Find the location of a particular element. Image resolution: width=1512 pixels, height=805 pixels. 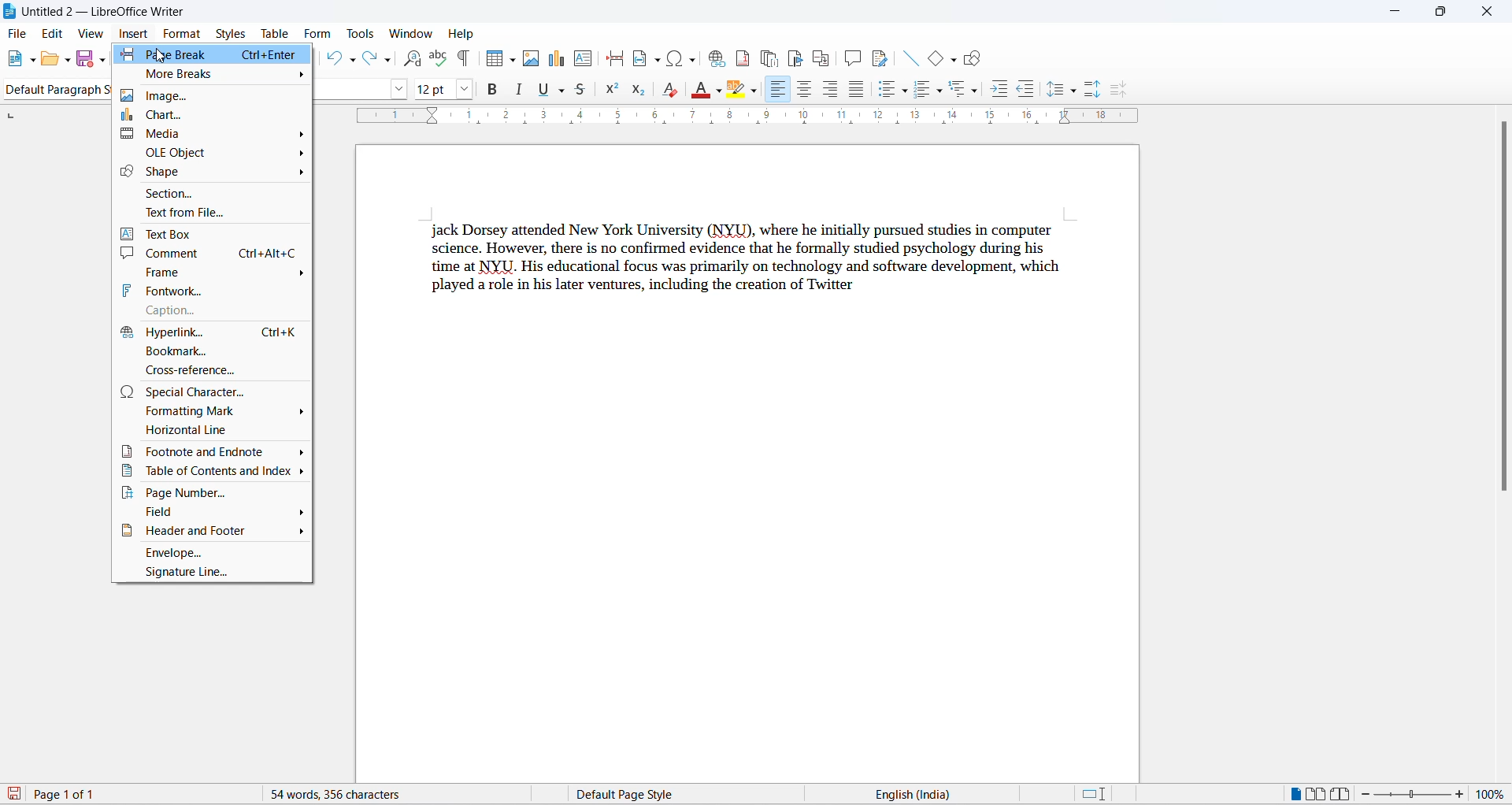

save options is located at coordinates (103, 58).